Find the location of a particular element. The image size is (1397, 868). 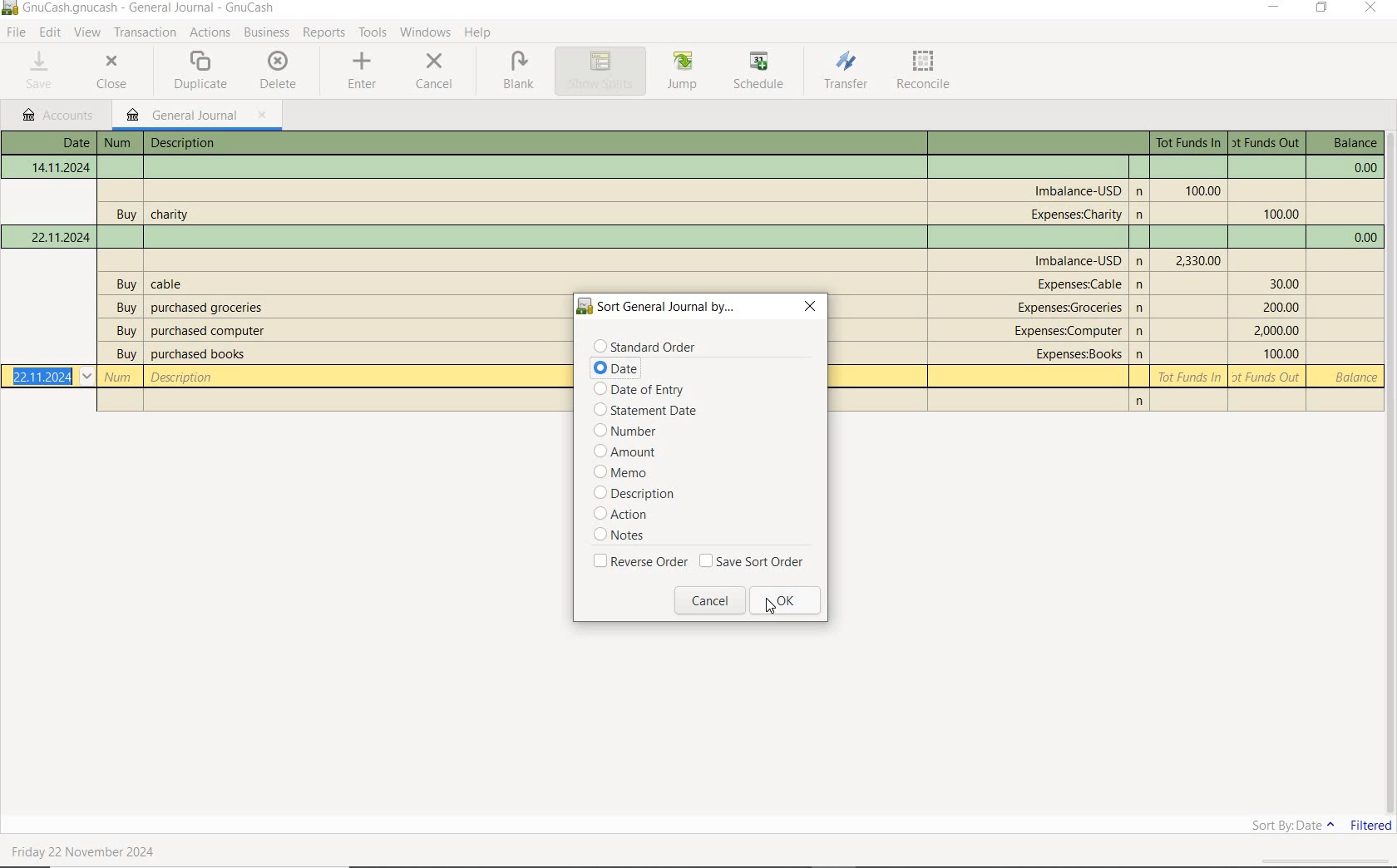

EDIT is located at coordinates (52, 33).